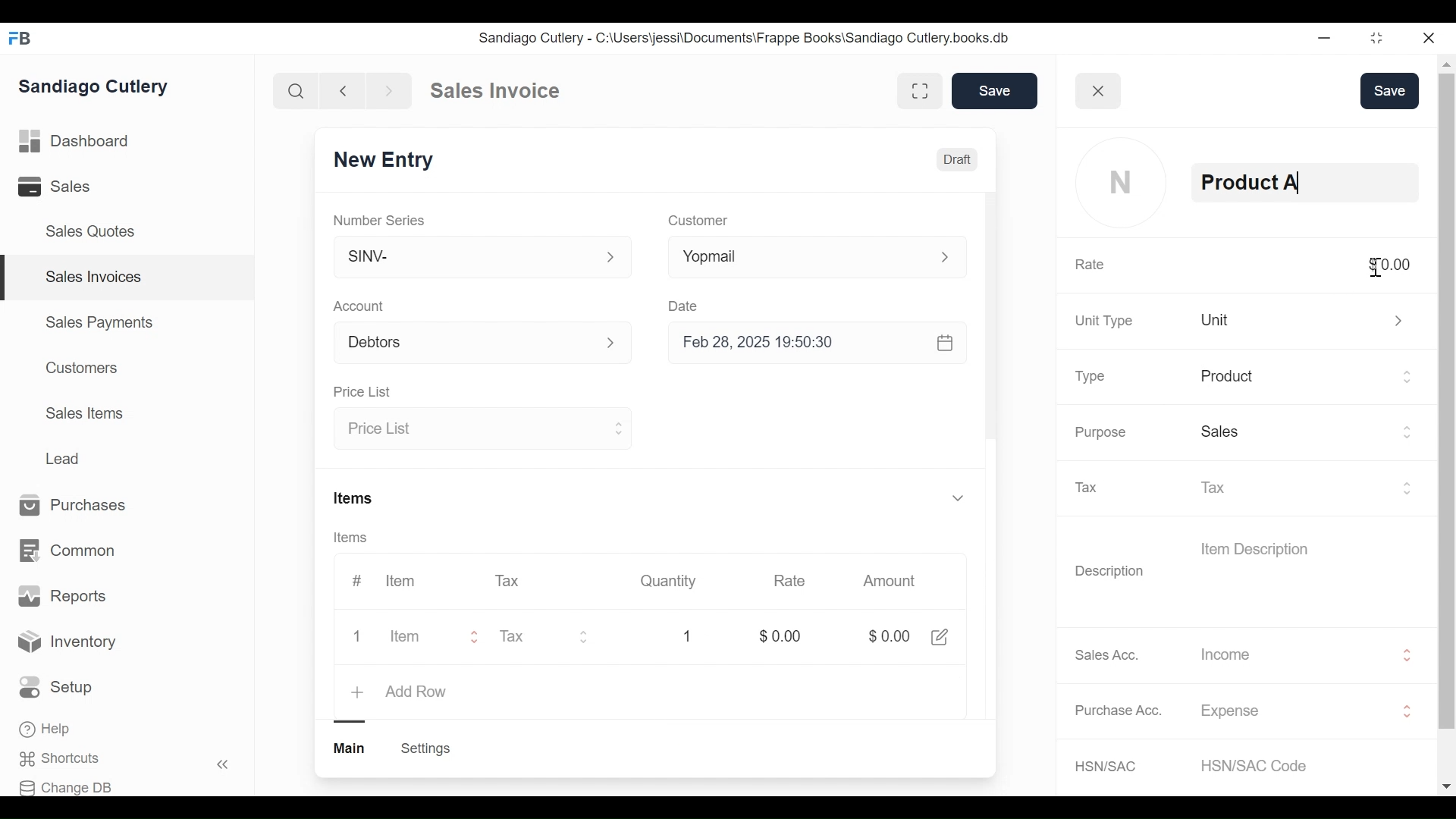  I want to click on Item , so click(413, 635).